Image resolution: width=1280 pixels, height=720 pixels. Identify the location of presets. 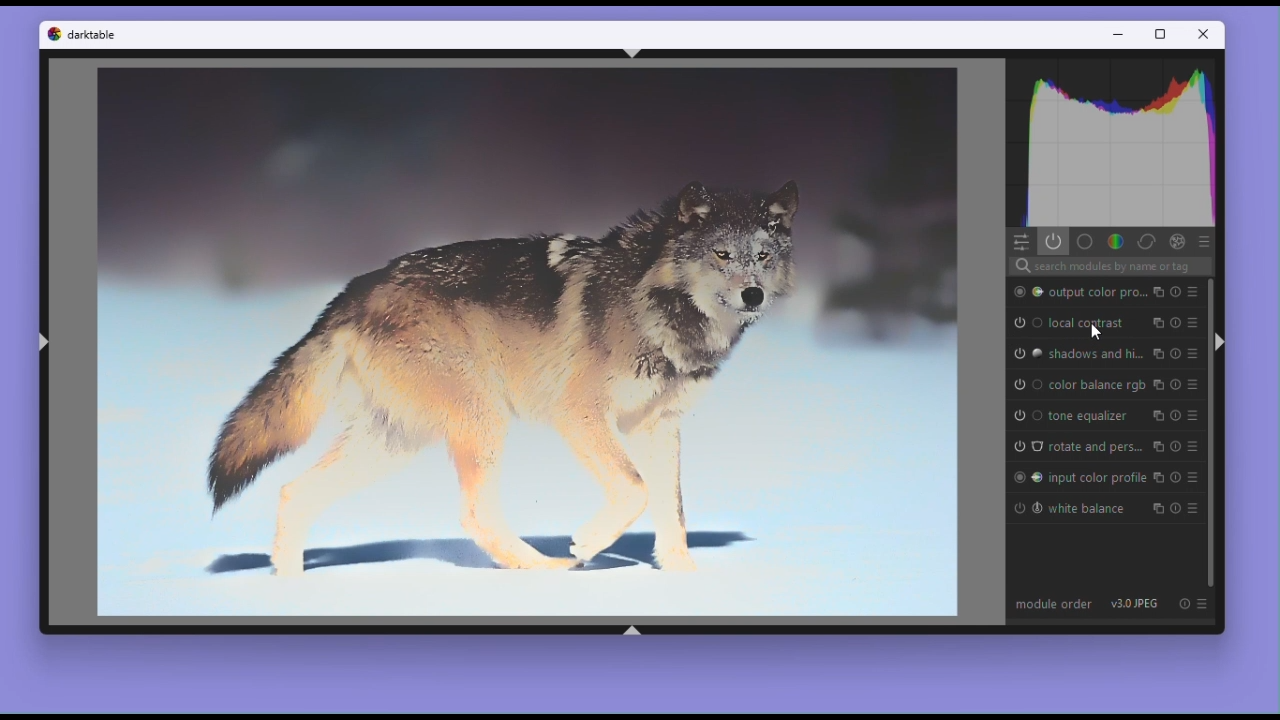
(1193, 289).